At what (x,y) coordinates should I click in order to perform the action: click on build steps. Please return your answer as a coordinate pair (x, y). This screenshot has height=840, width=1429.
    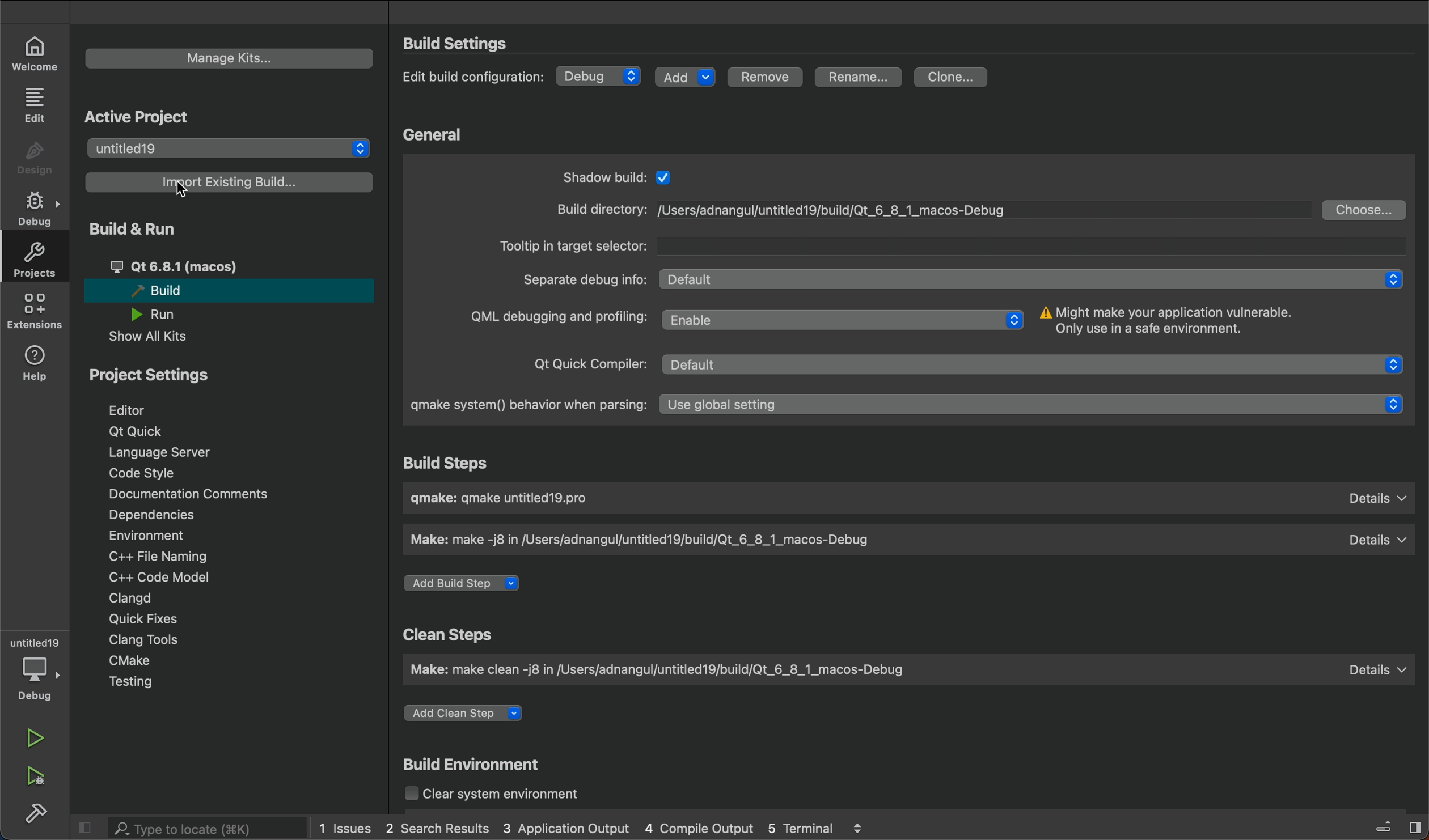
    Looking at the image, I should click on (453, 464).